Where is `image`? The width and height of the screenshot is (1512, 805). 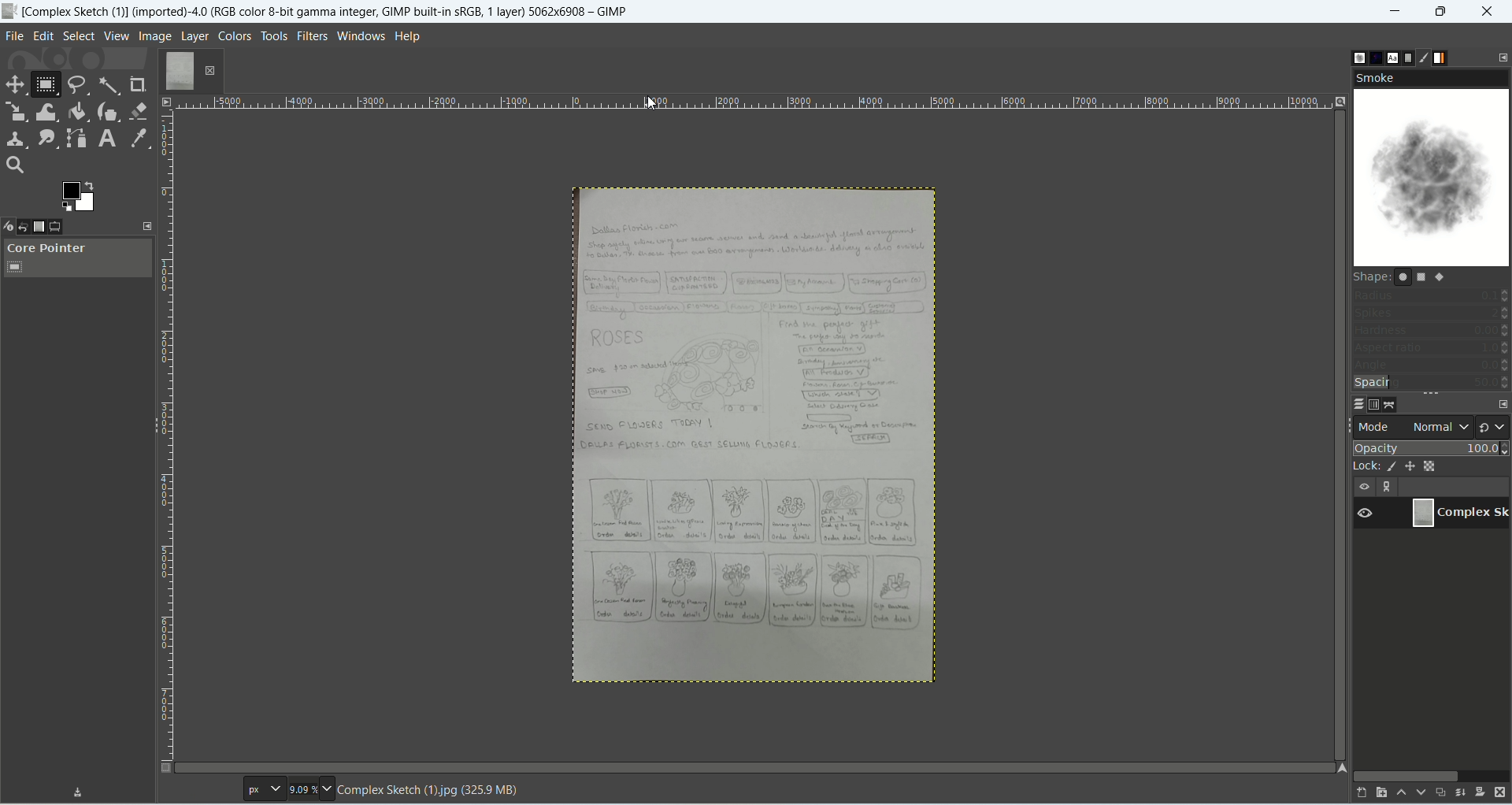 image is located at coordinates (154, 36).